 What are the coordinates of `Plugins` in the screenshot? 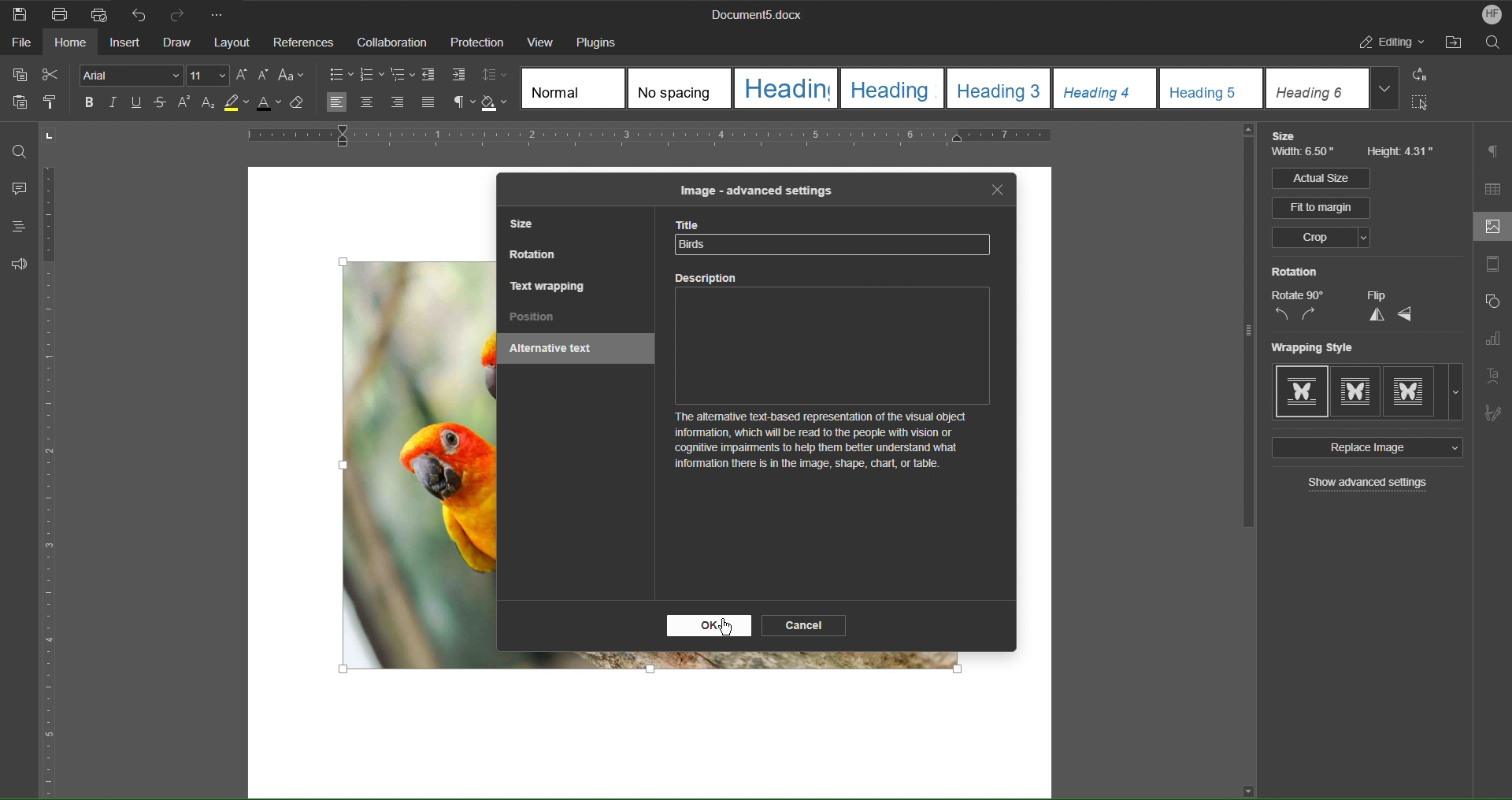 It's located at (602, 41).